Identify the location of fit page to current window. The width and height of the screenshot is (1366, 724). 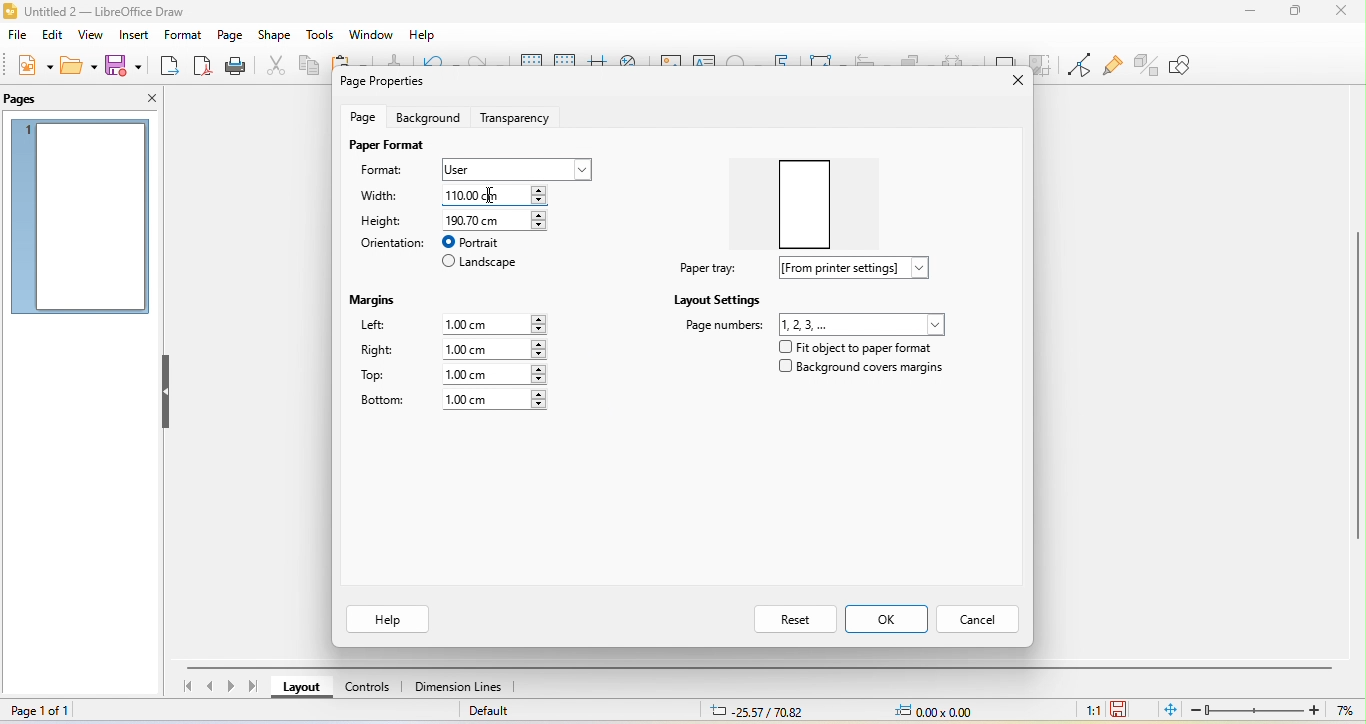
(1169, 709).